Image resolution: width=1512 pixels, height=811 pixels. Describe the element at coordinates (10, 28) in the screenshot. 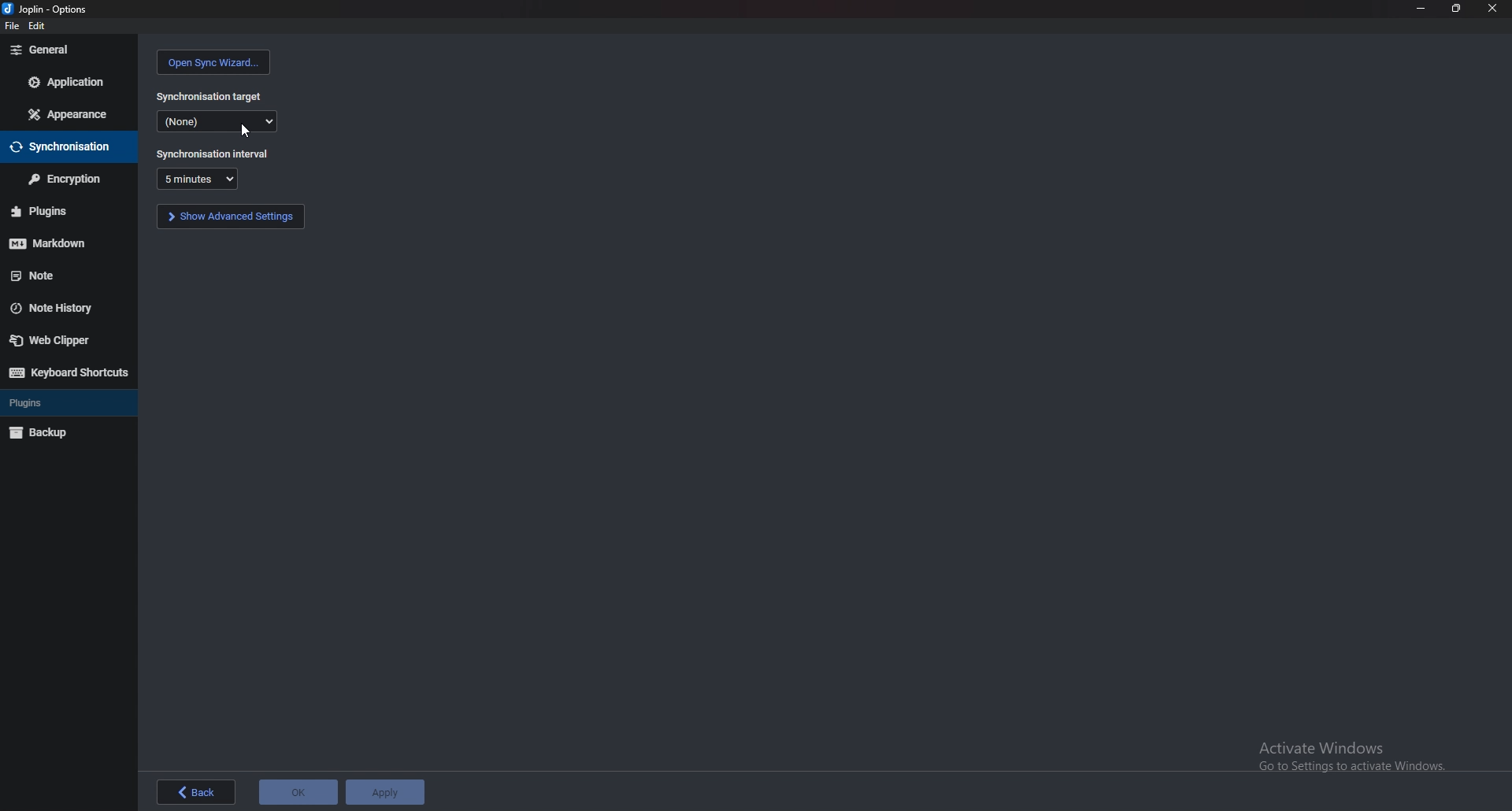

I see `file` at that location.